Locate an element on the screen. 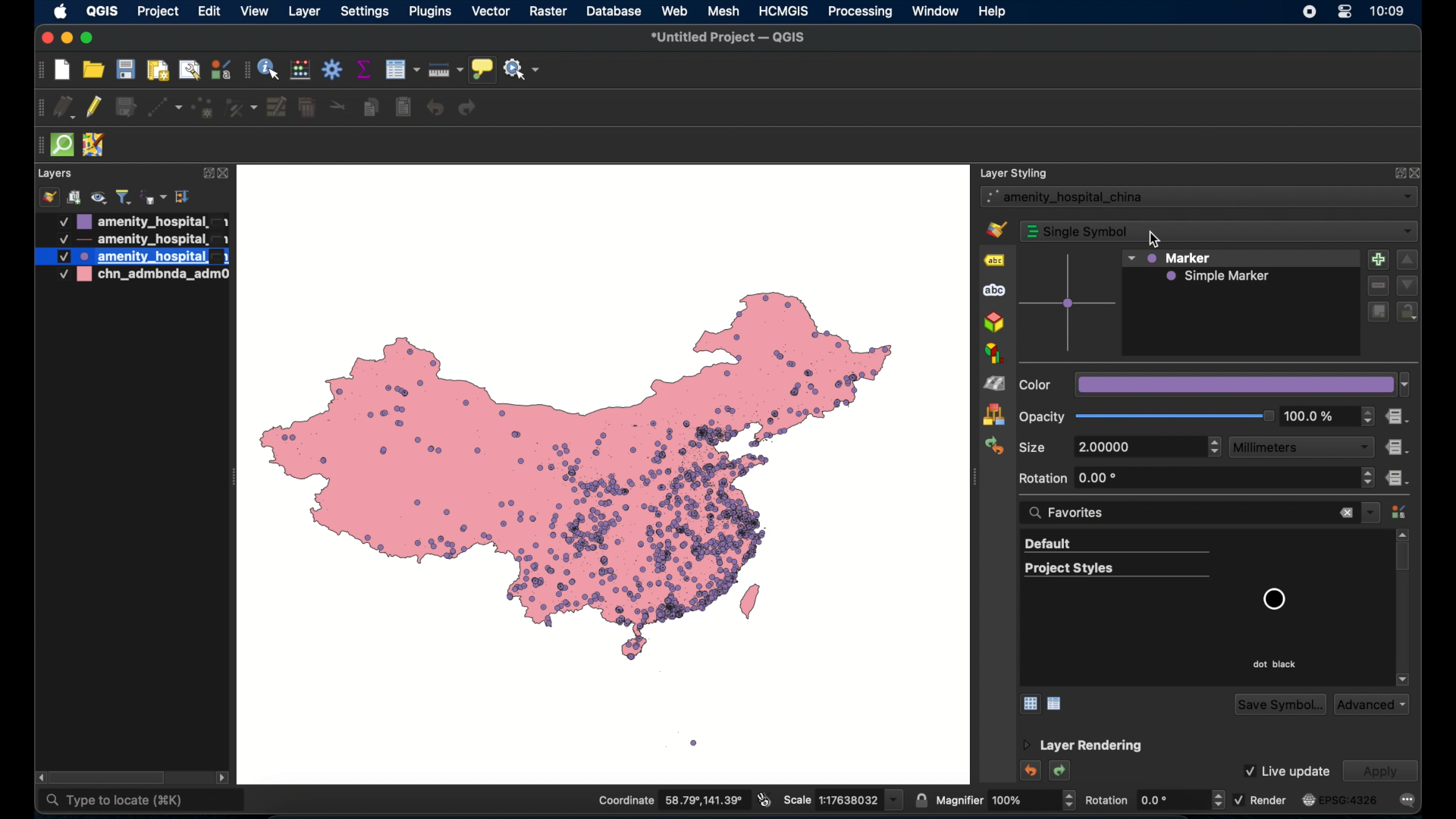  attribute toolbar is located at coordinates (246, 72).